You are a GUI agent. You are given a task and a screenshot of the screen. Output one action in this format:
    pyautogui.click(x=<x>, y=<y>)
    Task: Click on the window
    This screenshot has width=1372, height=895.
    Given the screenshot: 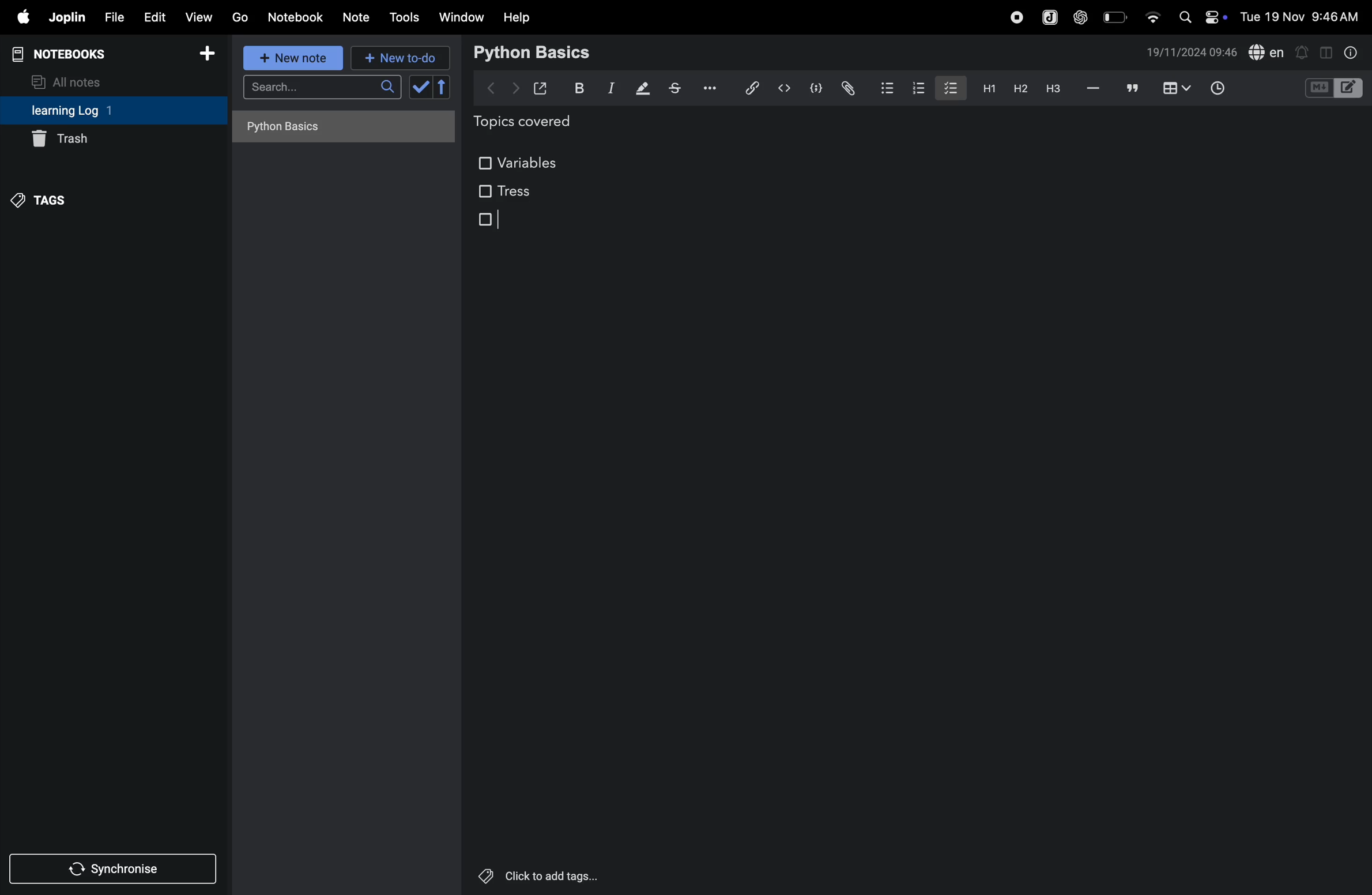 What is the action you would take?
    pyautogui.click(x=462, y=17)
    